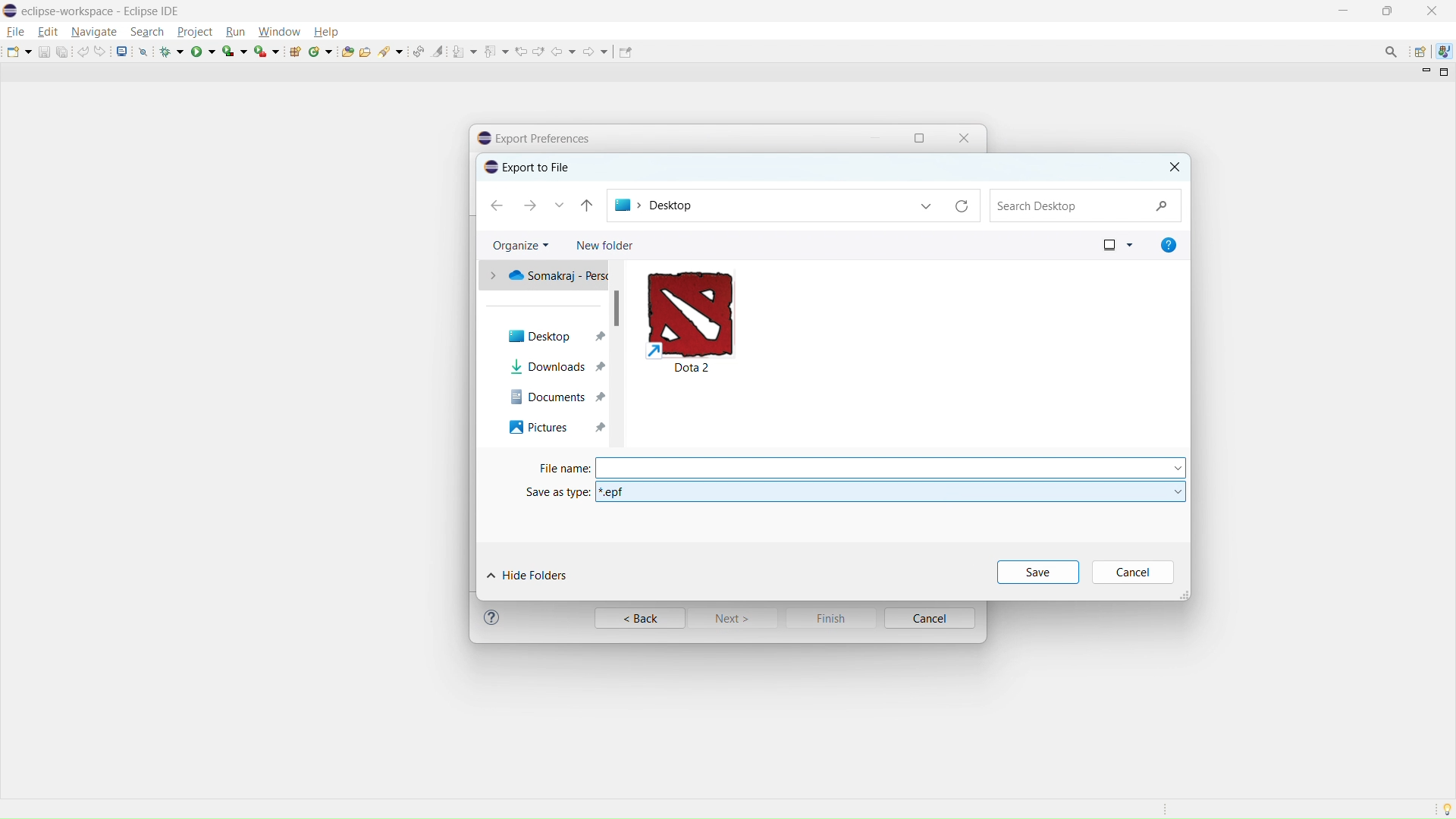 The height and width of the screenshot is (819, 1456). Describe the element at coordinates (494, 619) in the screenshot. I see `Information` at that location.